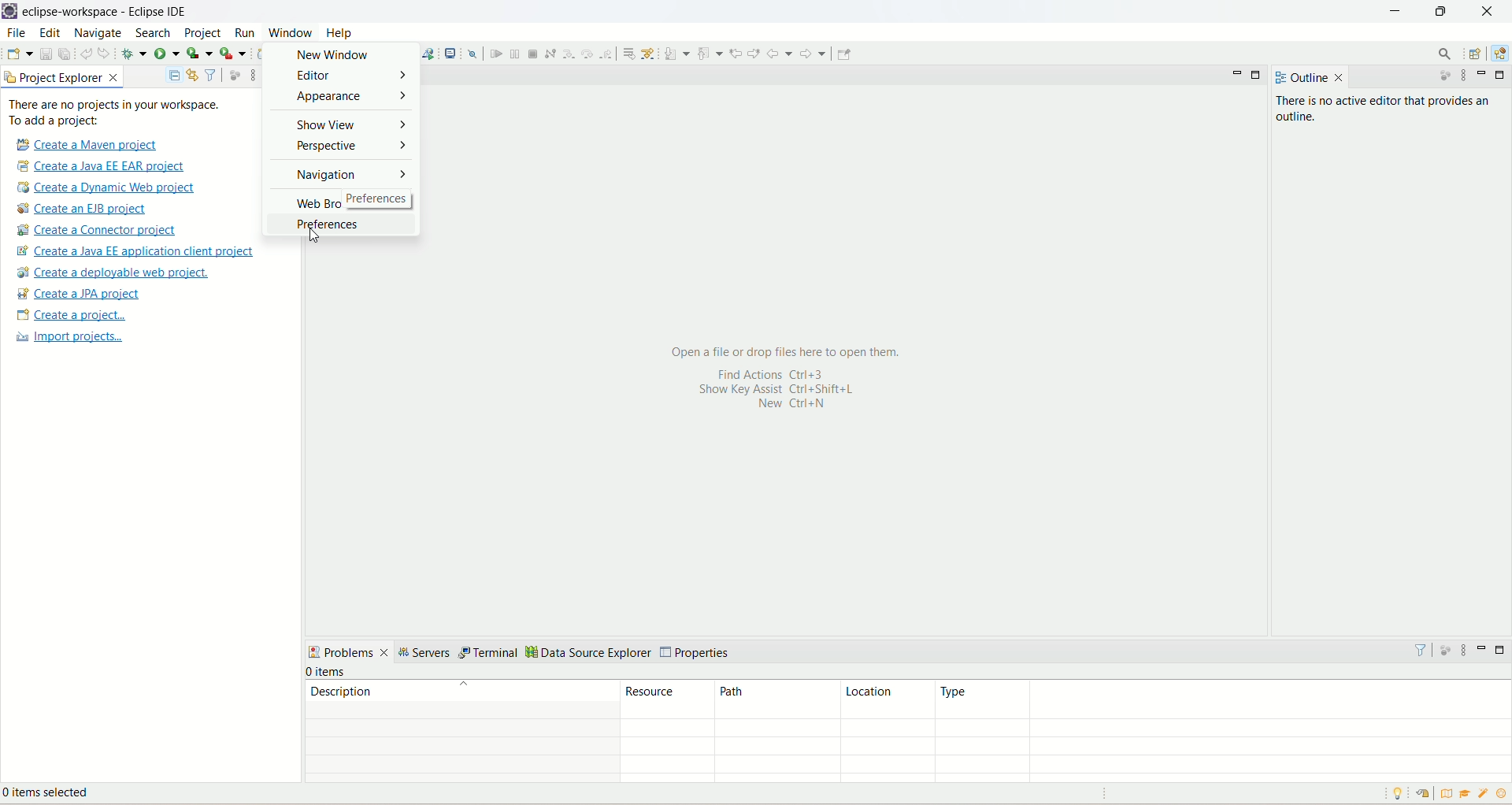 This screenshot has height=805, width=1512. Describe the element at coordinates (428, 53) in the screenshot. I see `launch web service` at that location.